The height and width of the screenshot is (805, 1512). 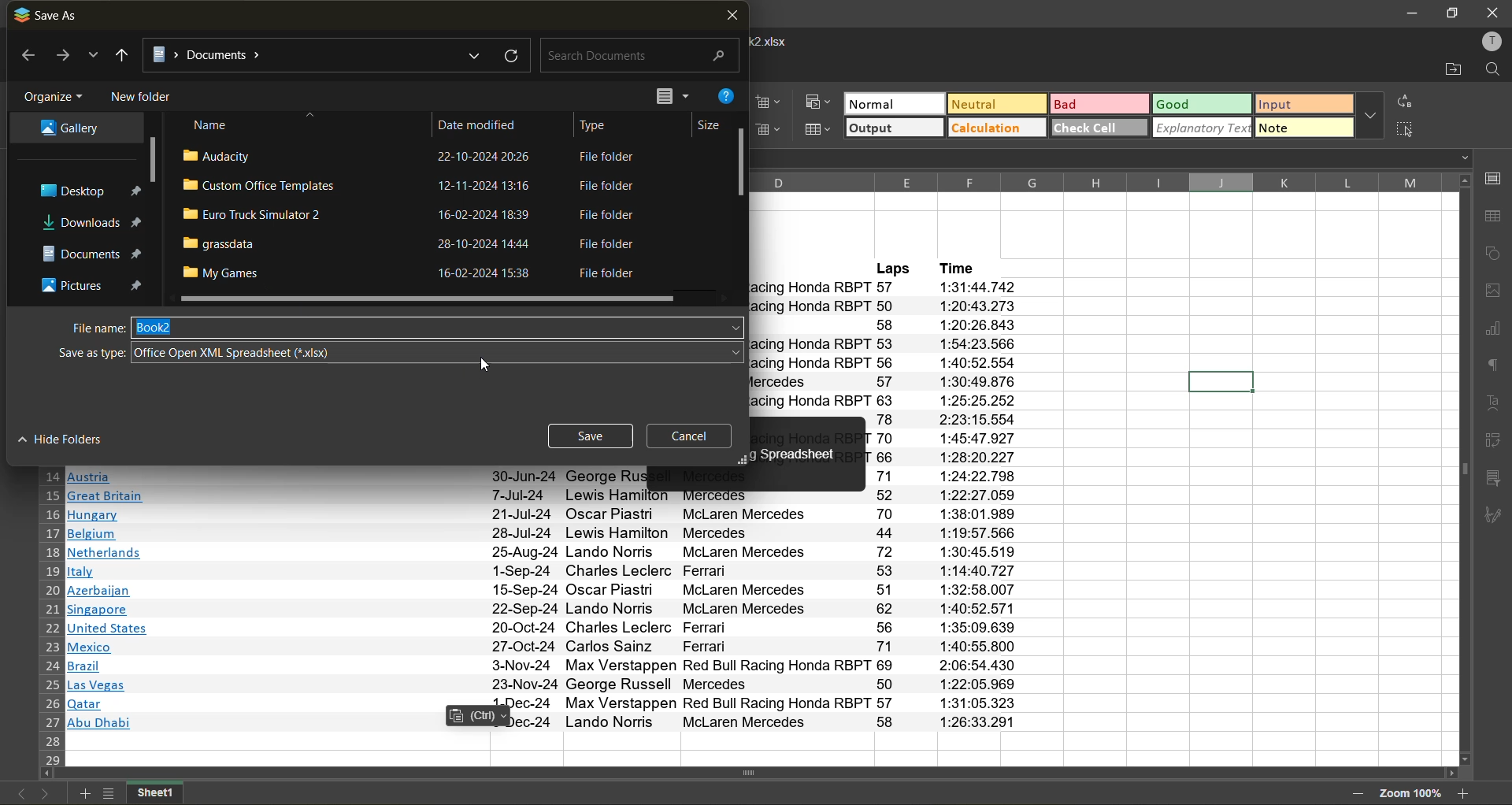 What do you see at coordinates (87, 250) in the screenshot?
I see `folder` at bounding box center [87, 250].